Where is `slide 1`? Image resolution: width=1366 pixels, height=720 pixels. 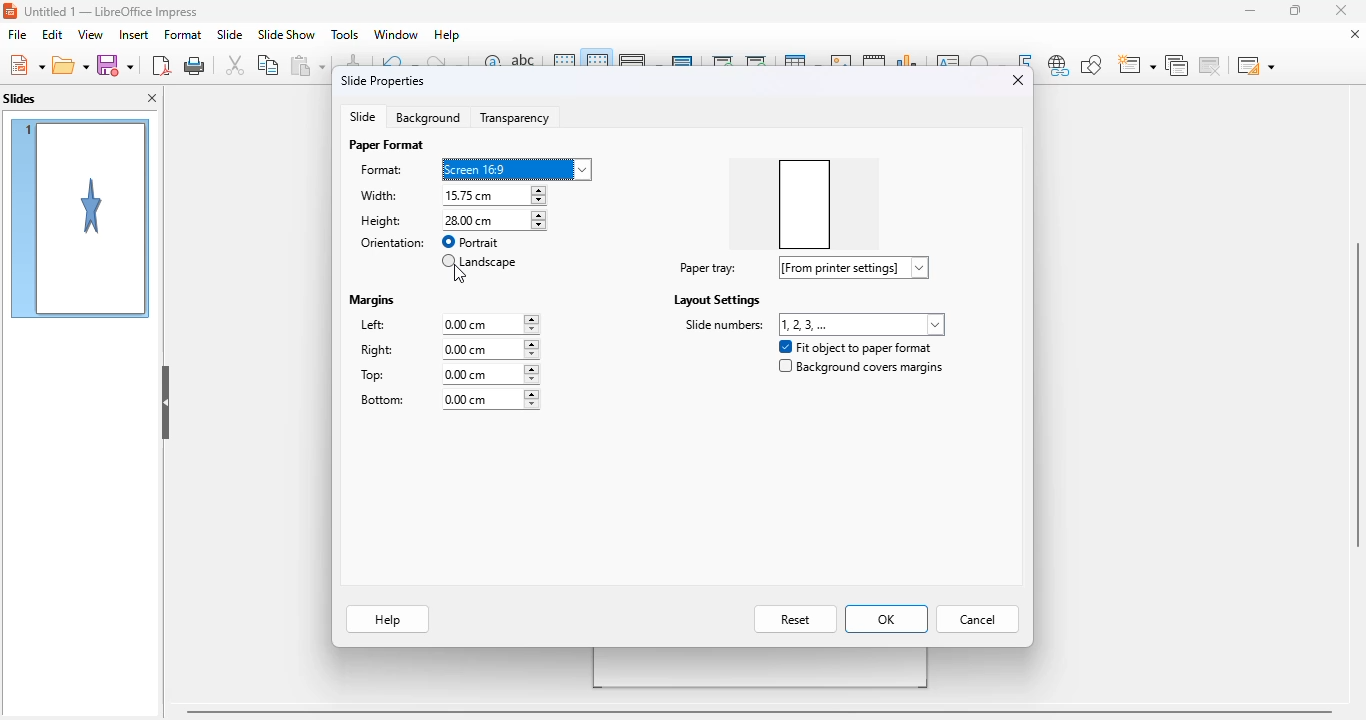 slide 1 is located at coordinates (81, 220).